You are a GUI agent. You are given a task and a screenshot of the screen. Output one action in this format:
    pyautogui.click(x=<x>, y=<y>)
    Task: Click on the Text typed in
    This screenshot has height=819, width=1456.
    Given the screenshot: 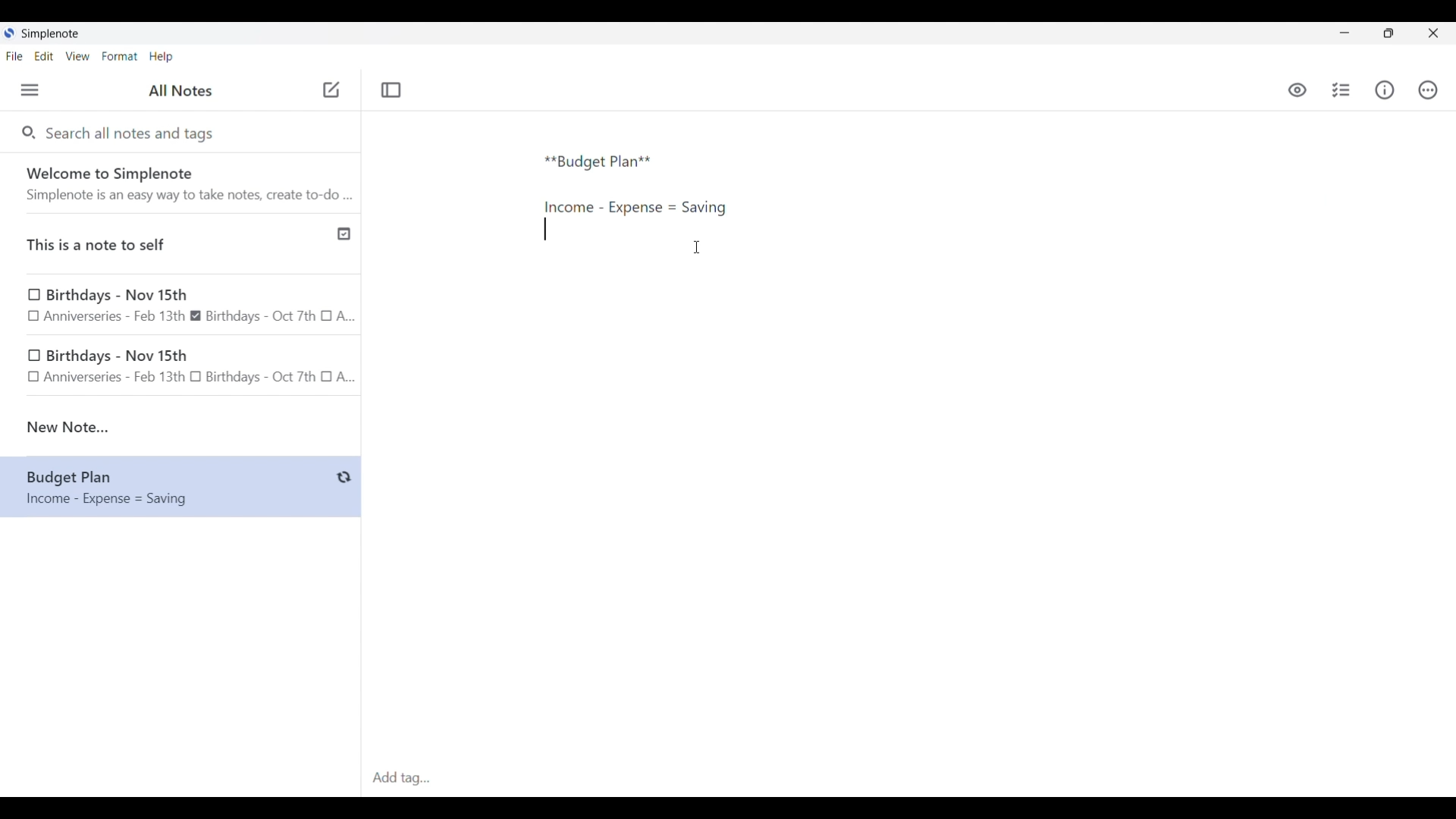 What is the action you would take?
    pyautogui.click(x=598, y=162)
    